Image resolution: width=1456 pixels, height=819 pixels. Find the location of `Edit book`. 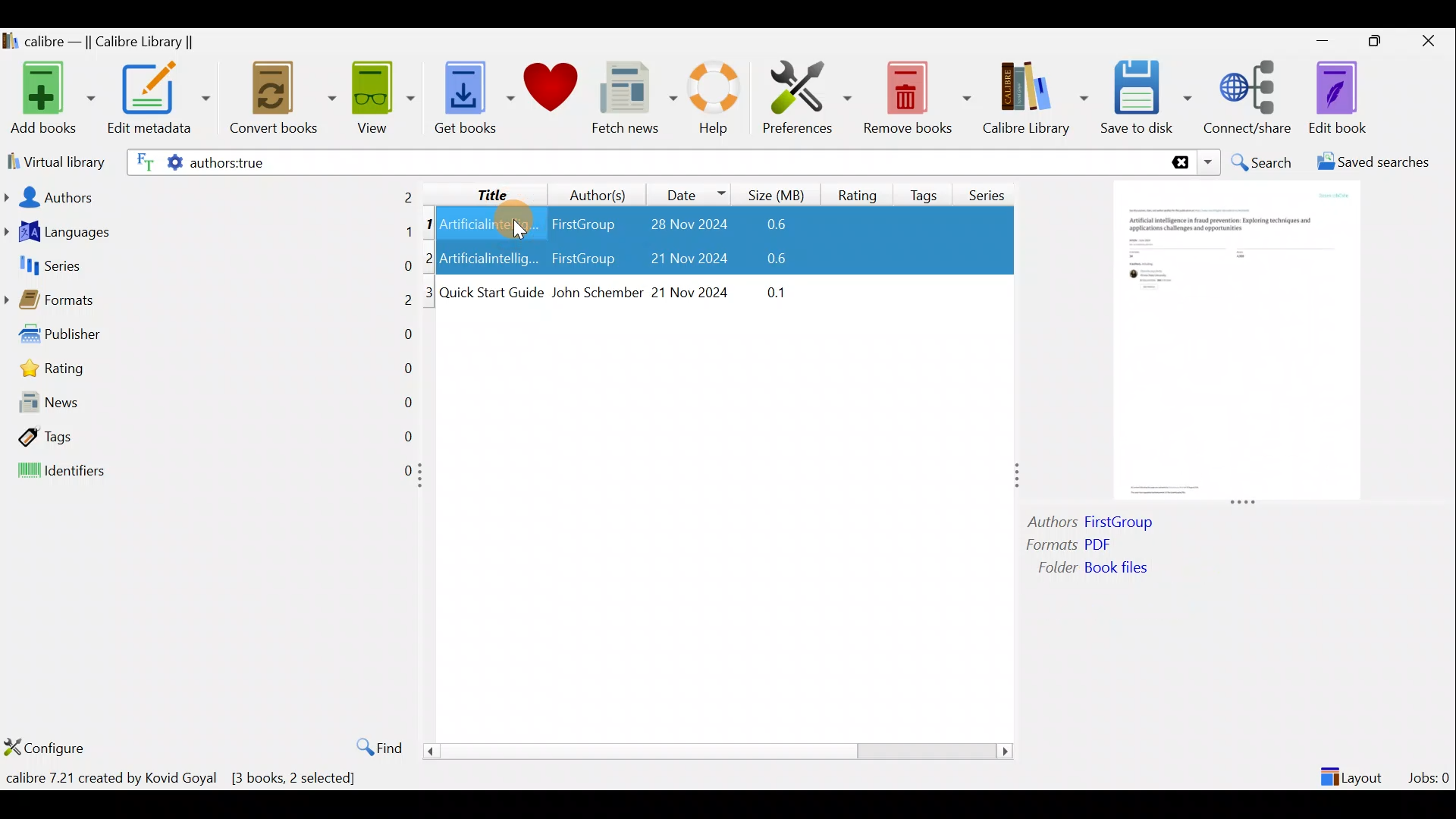

Edit book is located at coordinates (1335, 99).